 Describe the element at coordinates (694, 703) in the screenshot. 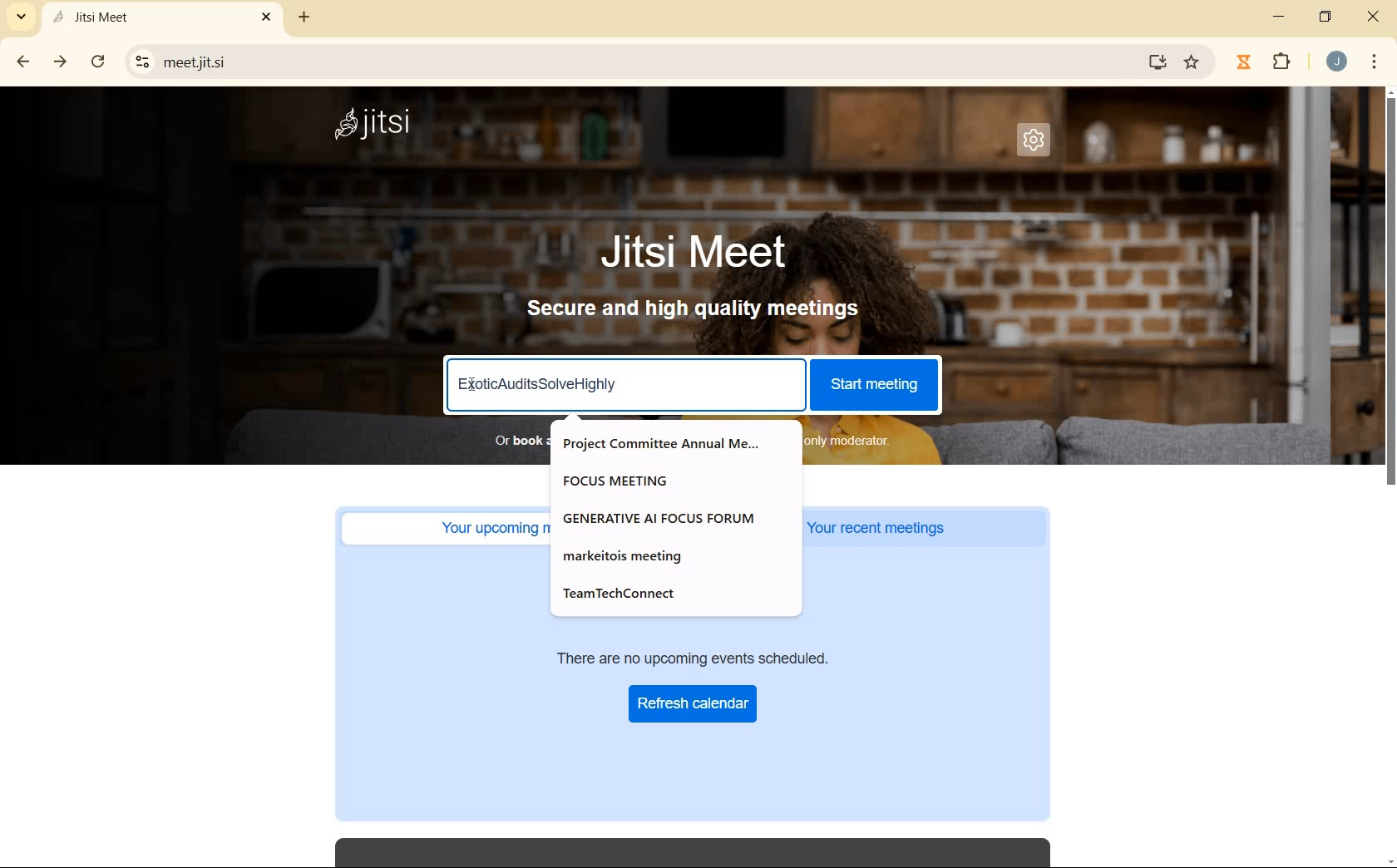

I see `Refresh Calendar` at that location.